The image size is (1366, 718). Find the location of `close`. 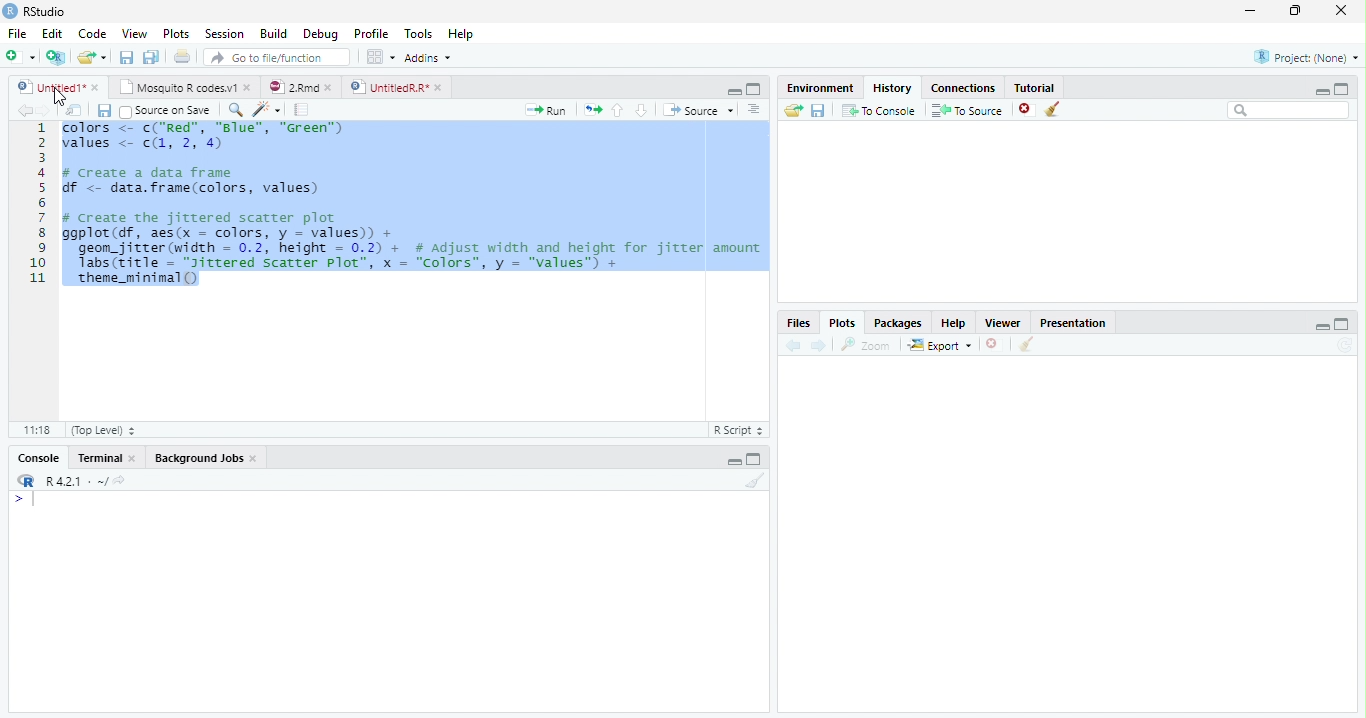

close is located at coordinates (133, 458).